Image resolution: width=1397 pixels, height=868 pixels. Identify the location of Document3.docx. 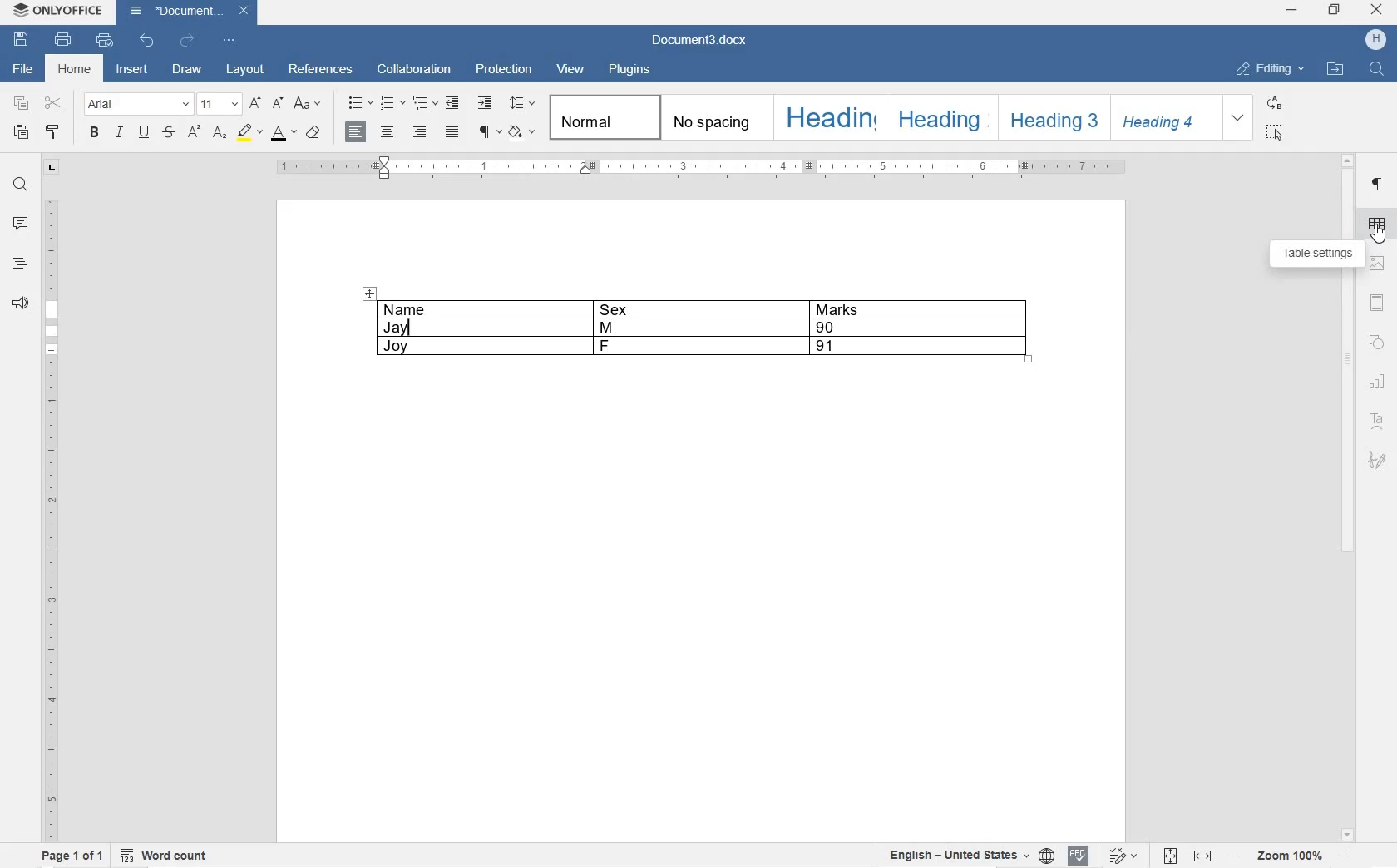
(705, 39).